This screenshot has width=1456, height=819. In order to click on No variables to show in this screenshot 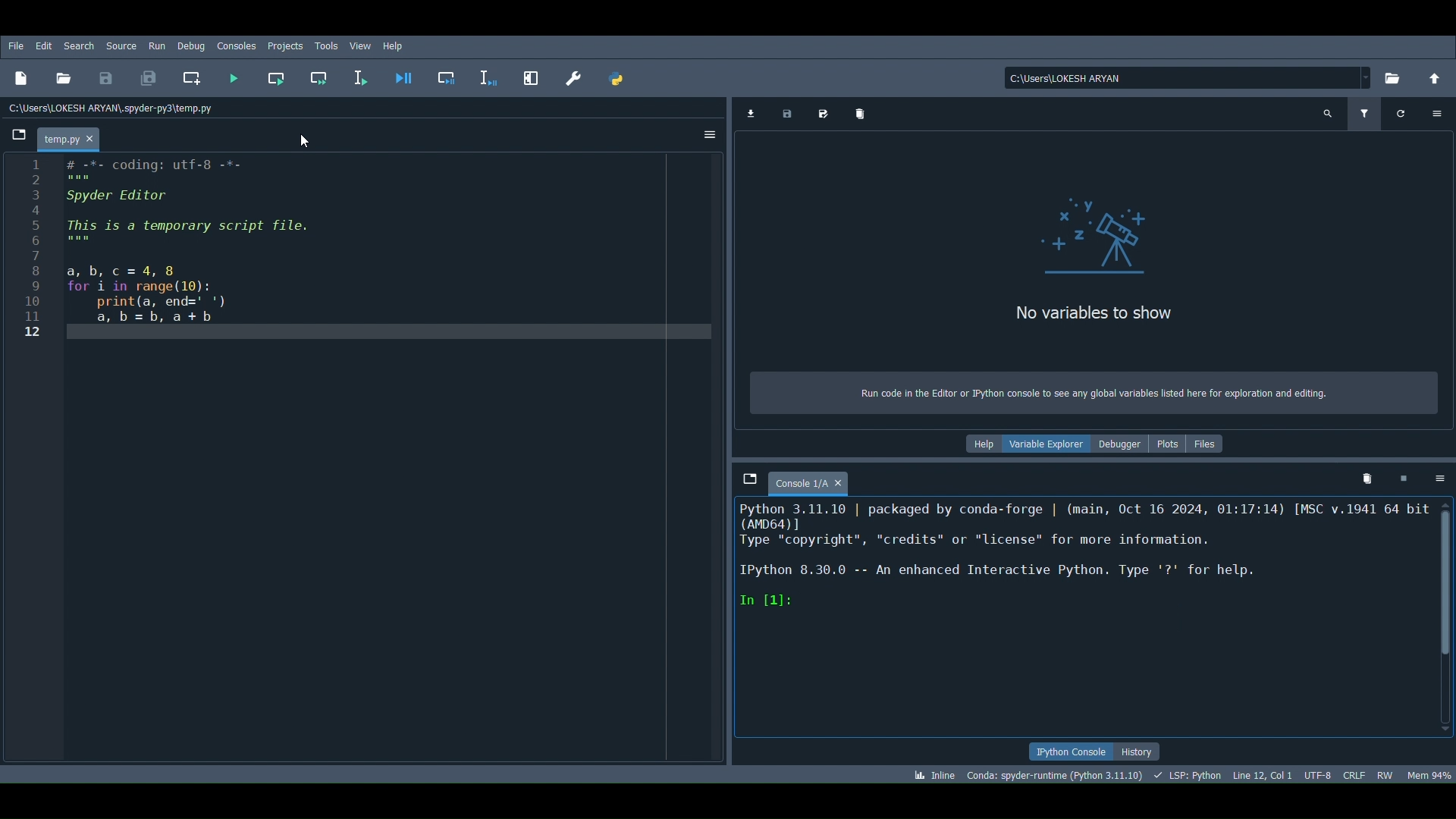, I will do `click(1092, 315)`.